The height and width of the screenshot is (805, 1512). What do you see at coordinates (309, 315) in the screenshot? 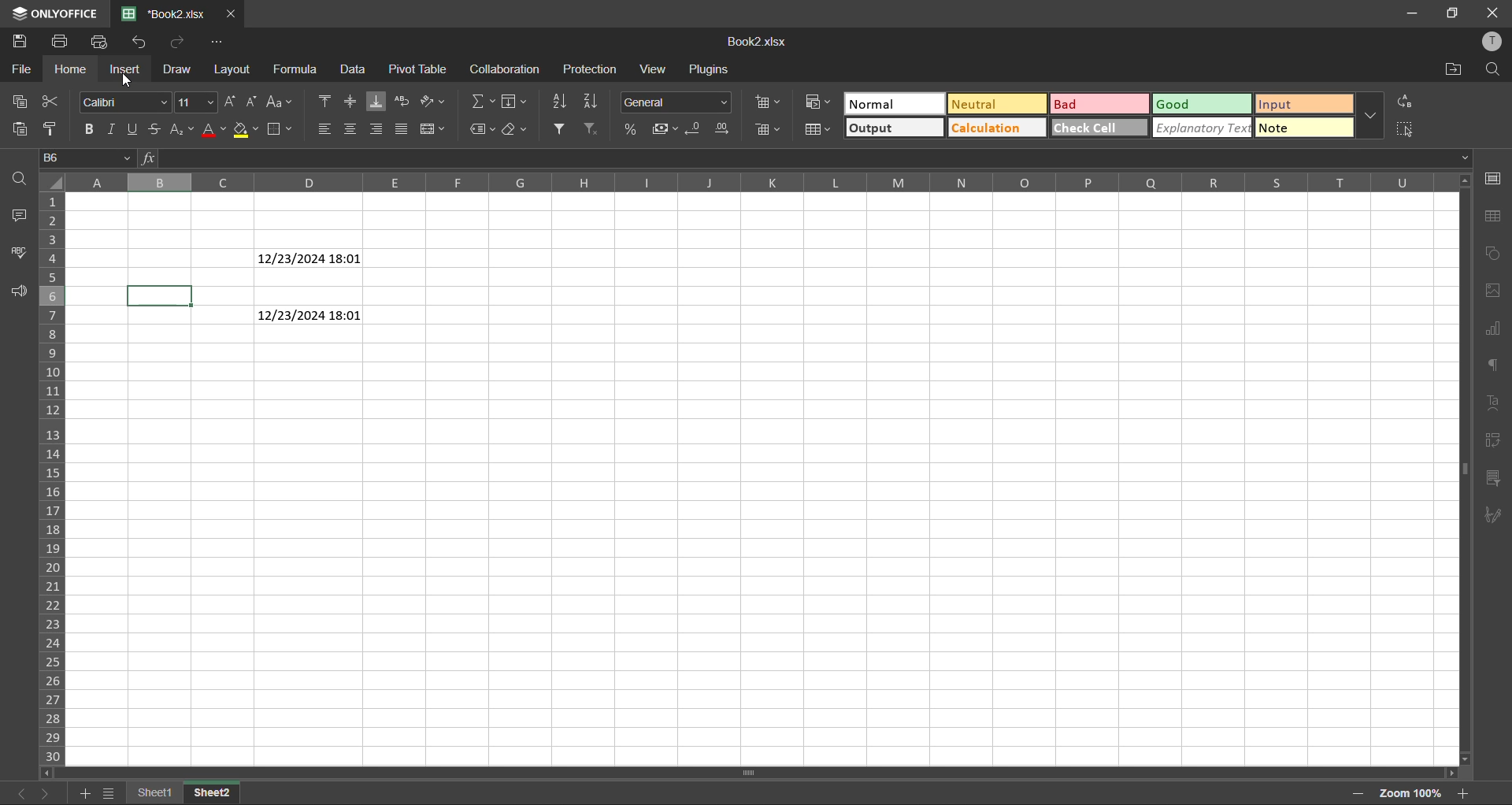
I see `12/23/24 18:01` at bounding box center [309, 315].